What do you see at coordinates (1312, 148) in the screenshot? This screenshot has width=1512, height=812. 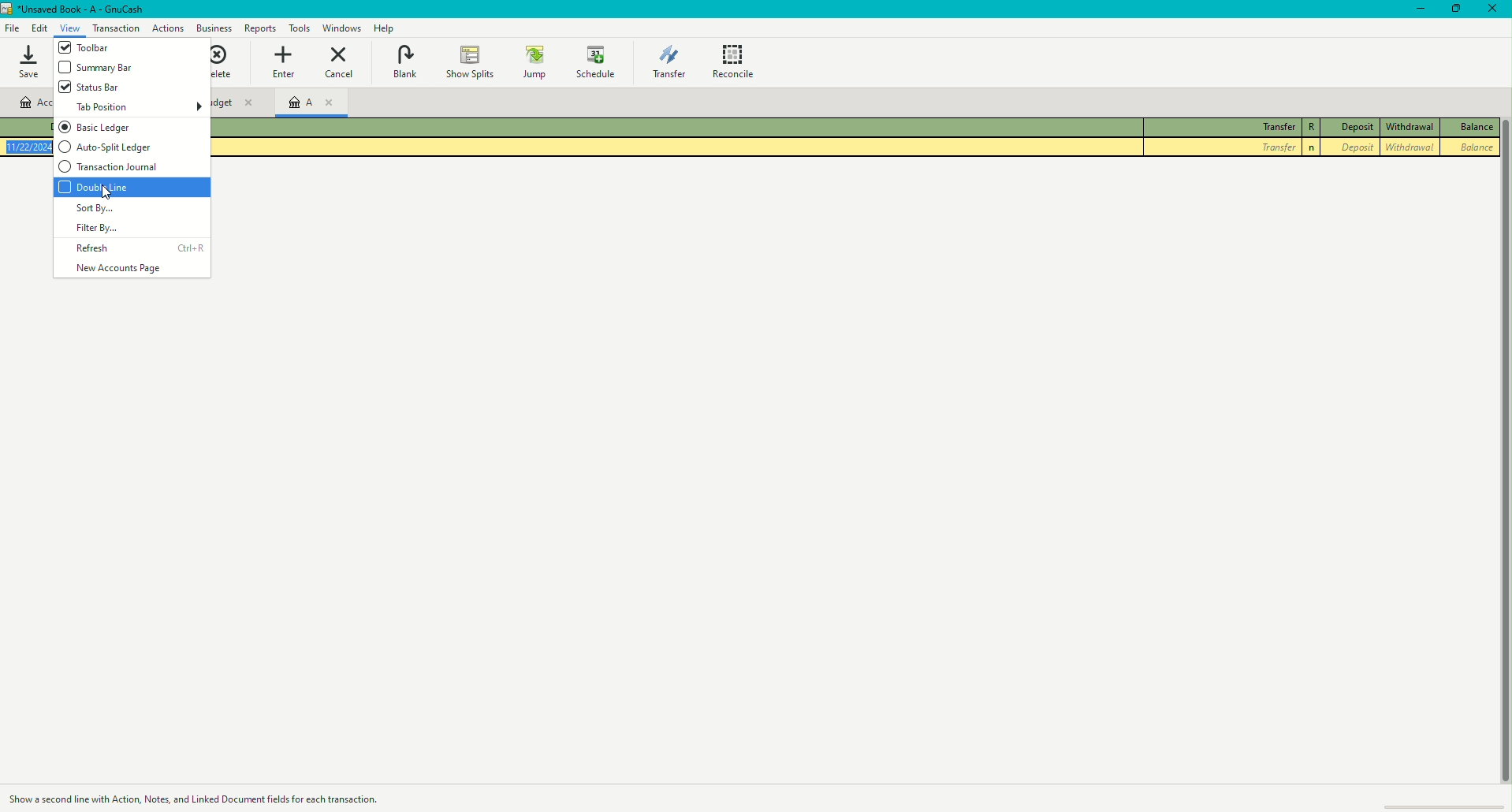 I see `` at bounding box center [1312, 148].